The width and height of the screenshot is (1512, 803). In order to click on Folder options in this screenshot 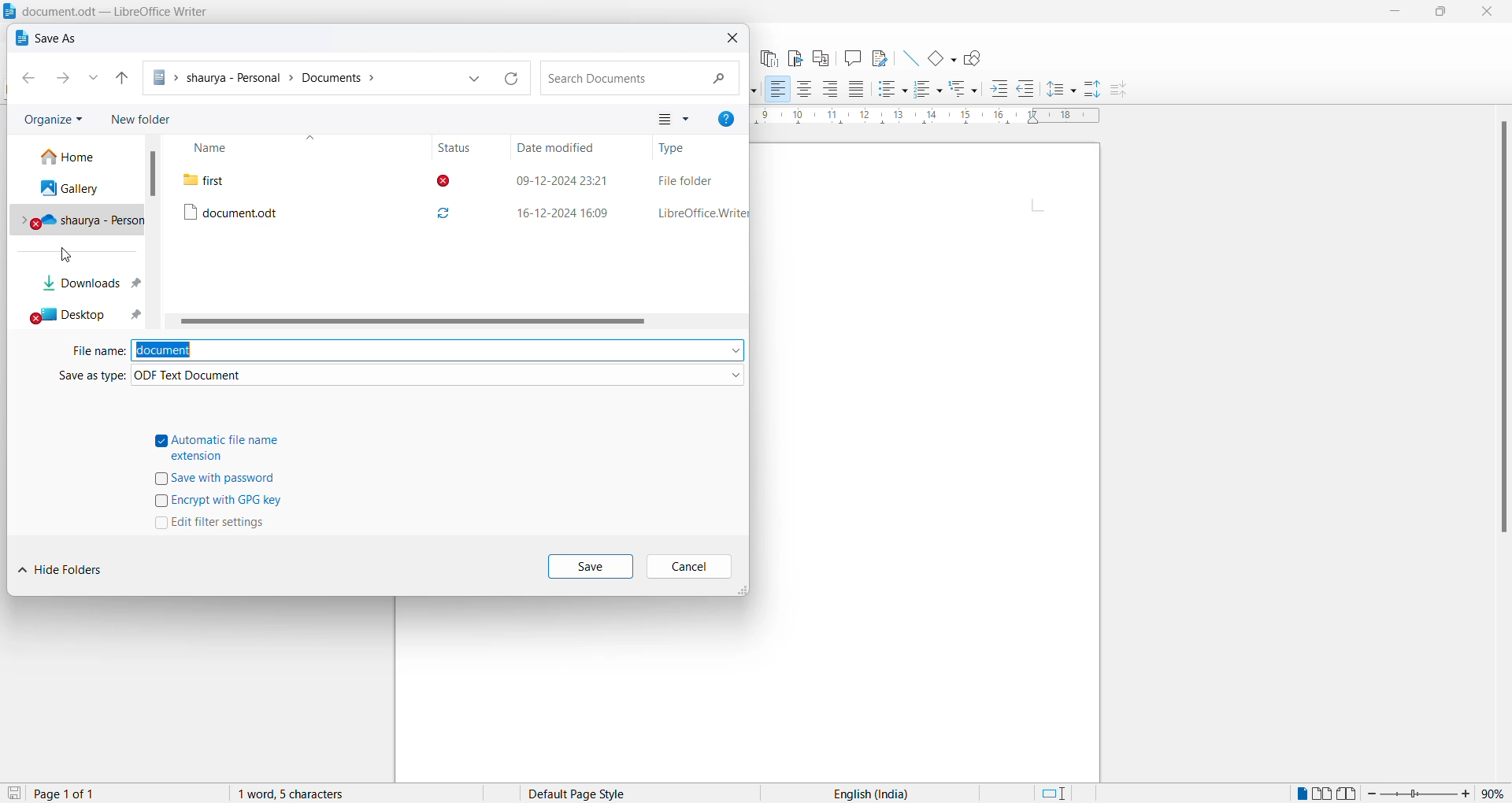, I will do `click(479, 79)`.